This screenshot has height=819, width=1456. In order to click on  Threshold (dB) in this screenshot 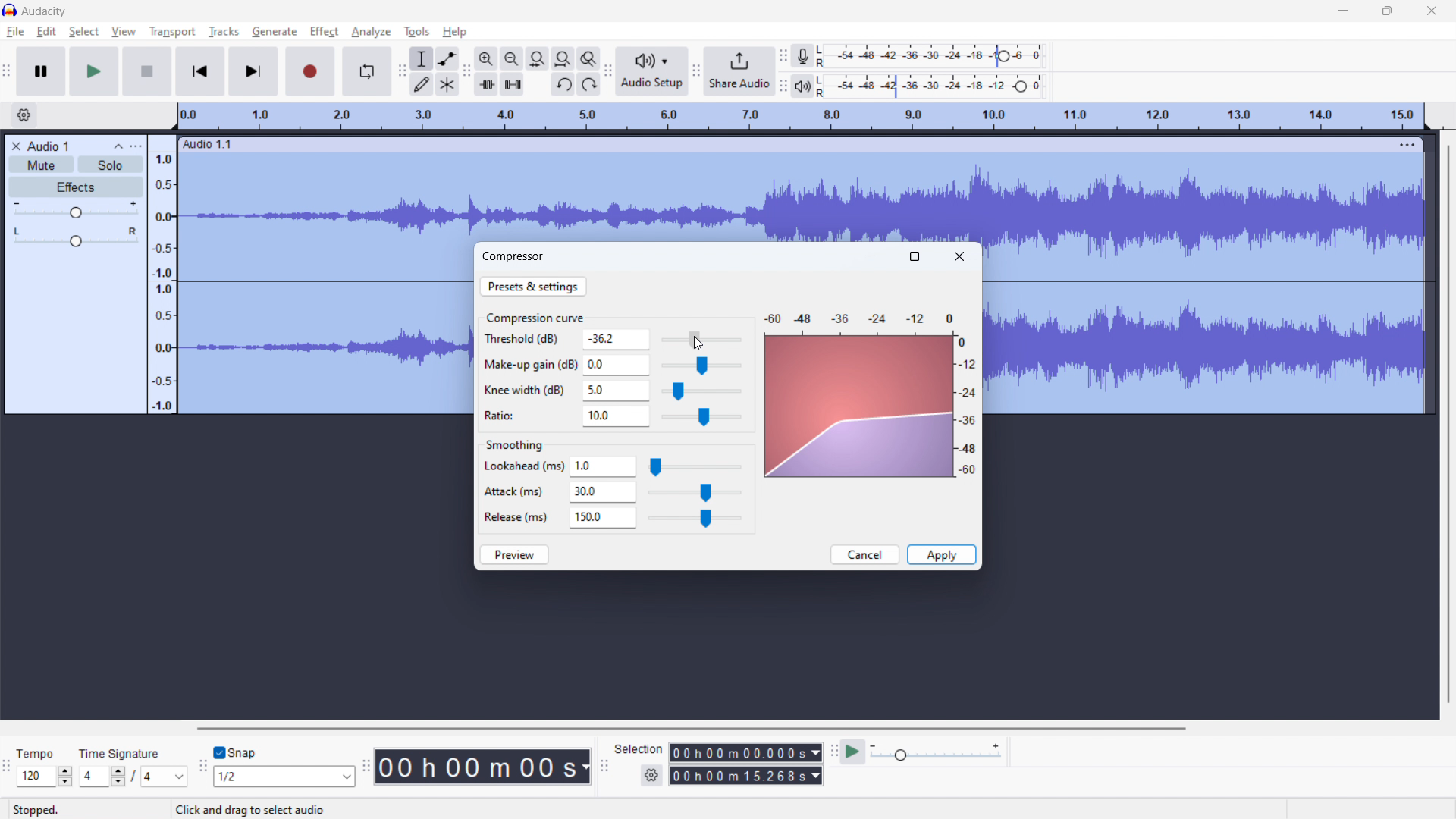, I will do `click(528, 340)`.